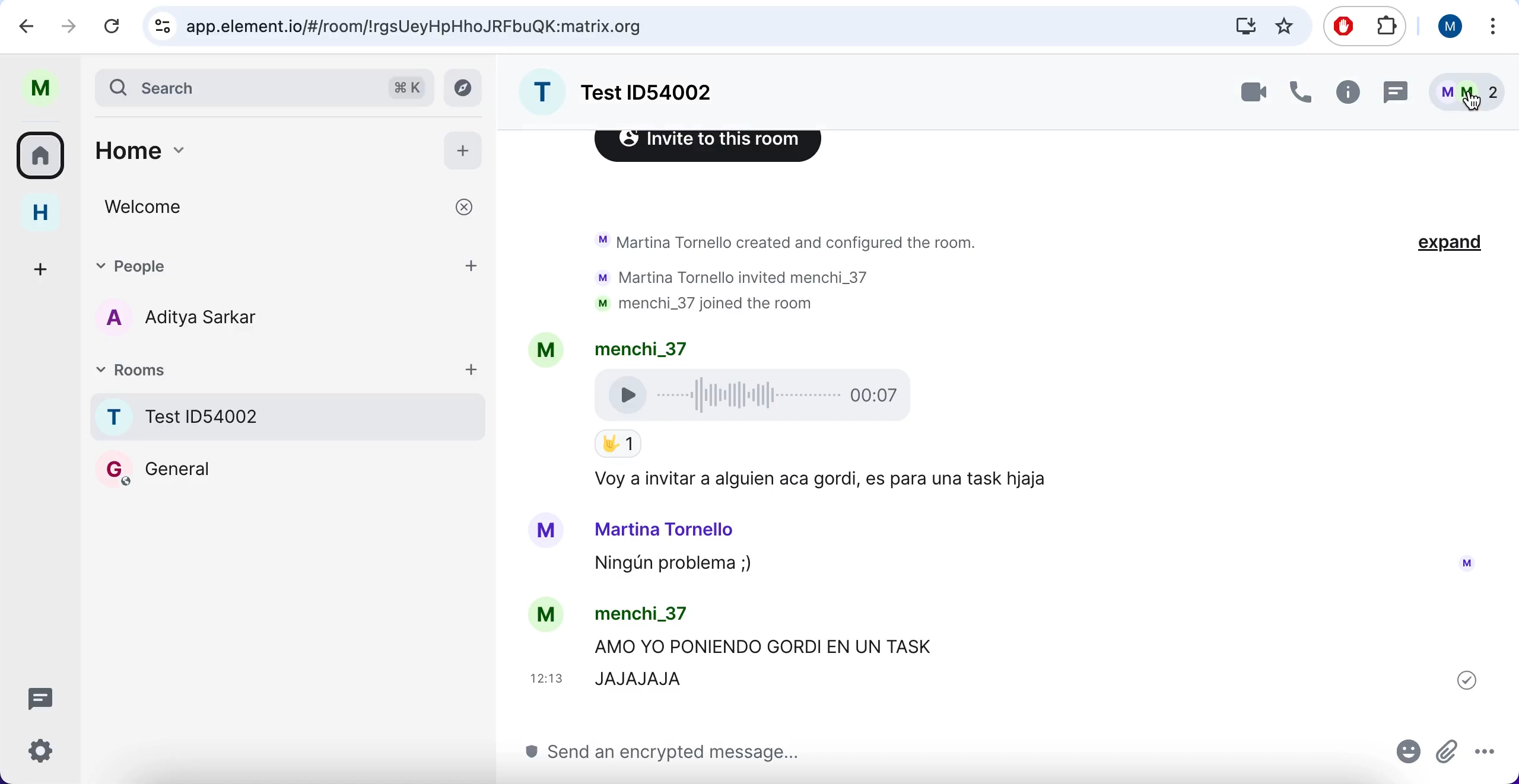 This screenshot has width=1519, height=784. Describe the element at coordinates (1346, 94) in the screenshot. I see `information` at that location.